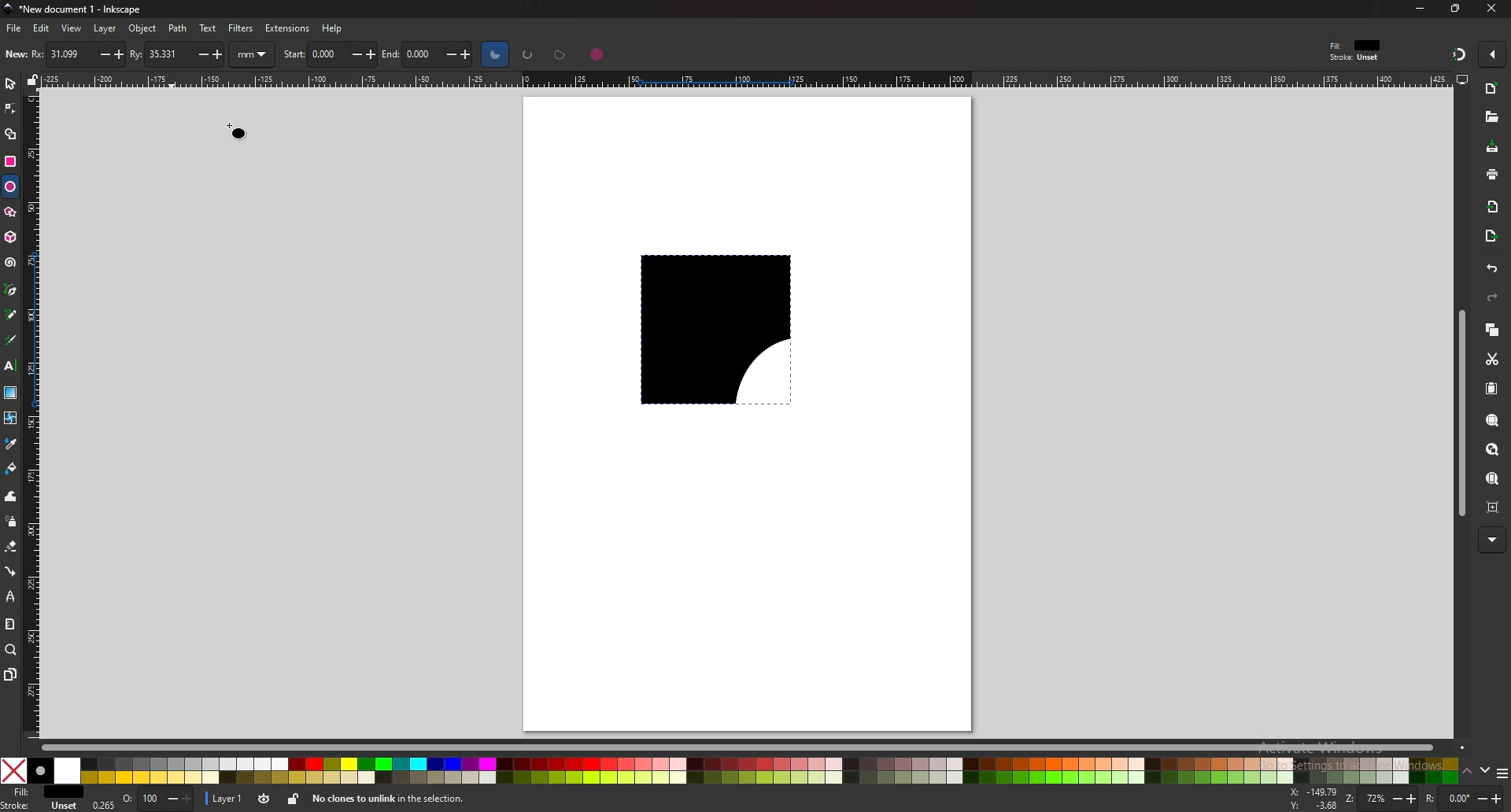 The image size is (1511, 812). I want to click on zoom center, so click(1494, 509).